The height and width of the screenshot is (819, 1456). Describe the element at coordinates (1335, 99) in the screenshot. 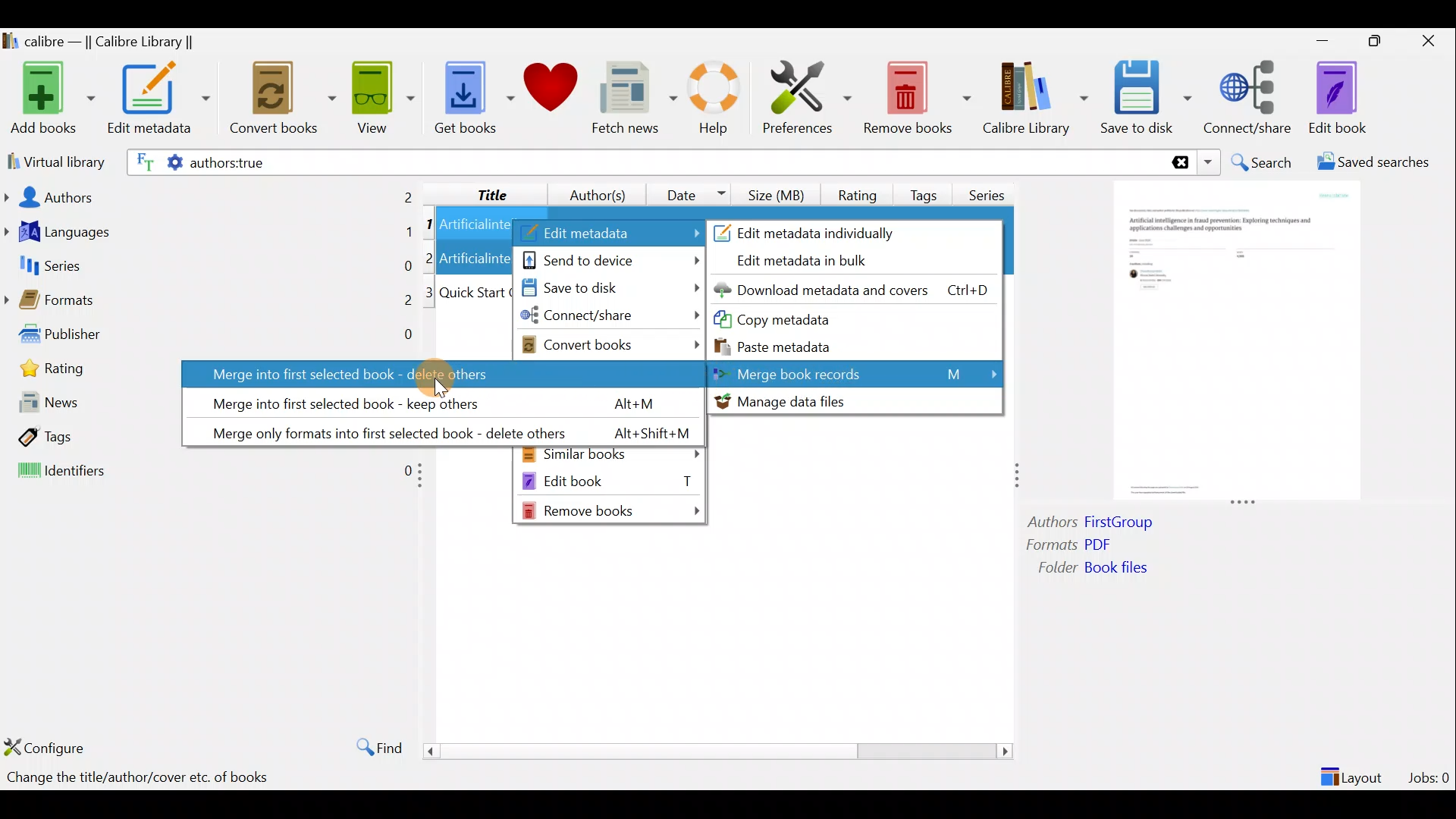

I see `Edit book` at that location.